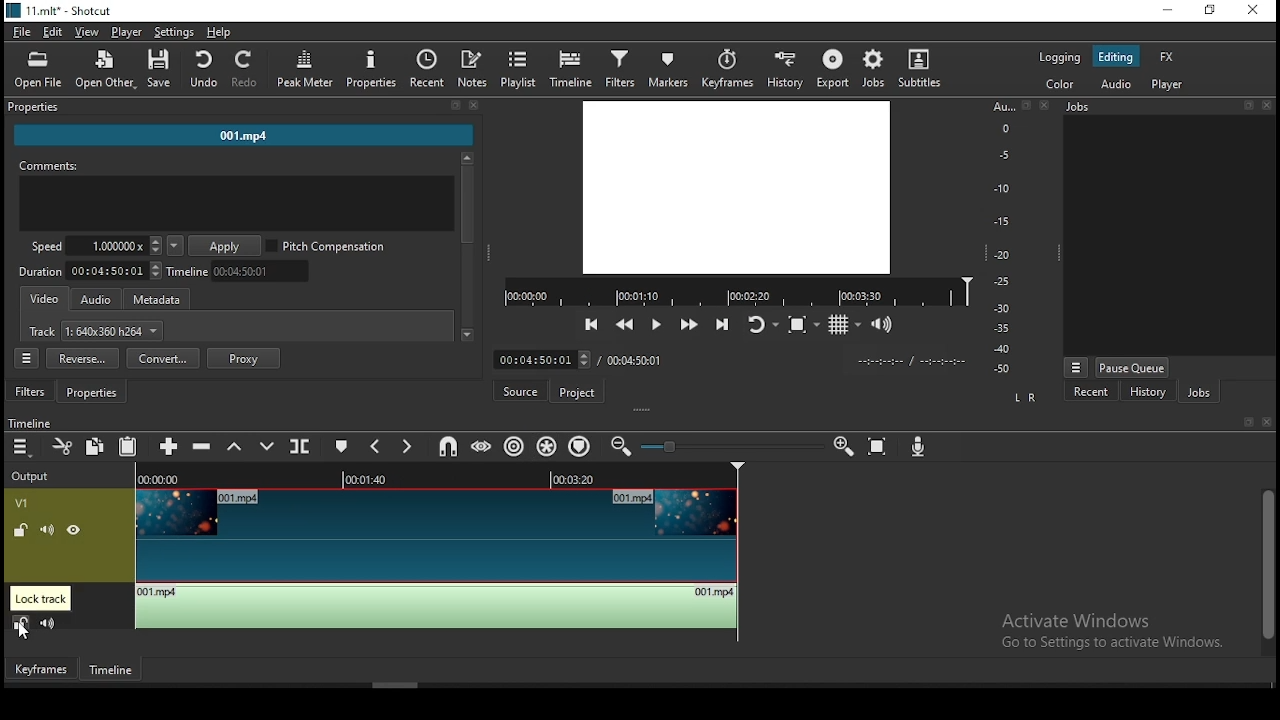  I want to click on ripple markers, so click(582, 444).